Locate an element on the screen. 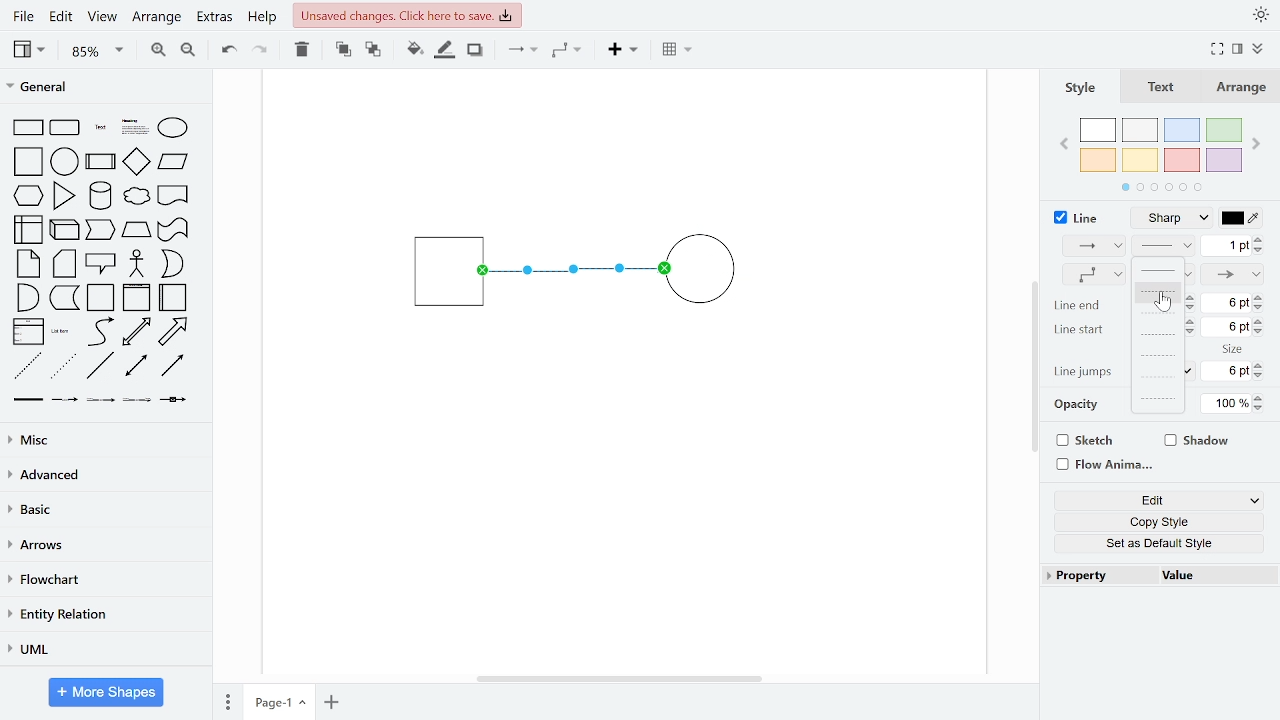  current diagram is located at coordinates (573, 293).